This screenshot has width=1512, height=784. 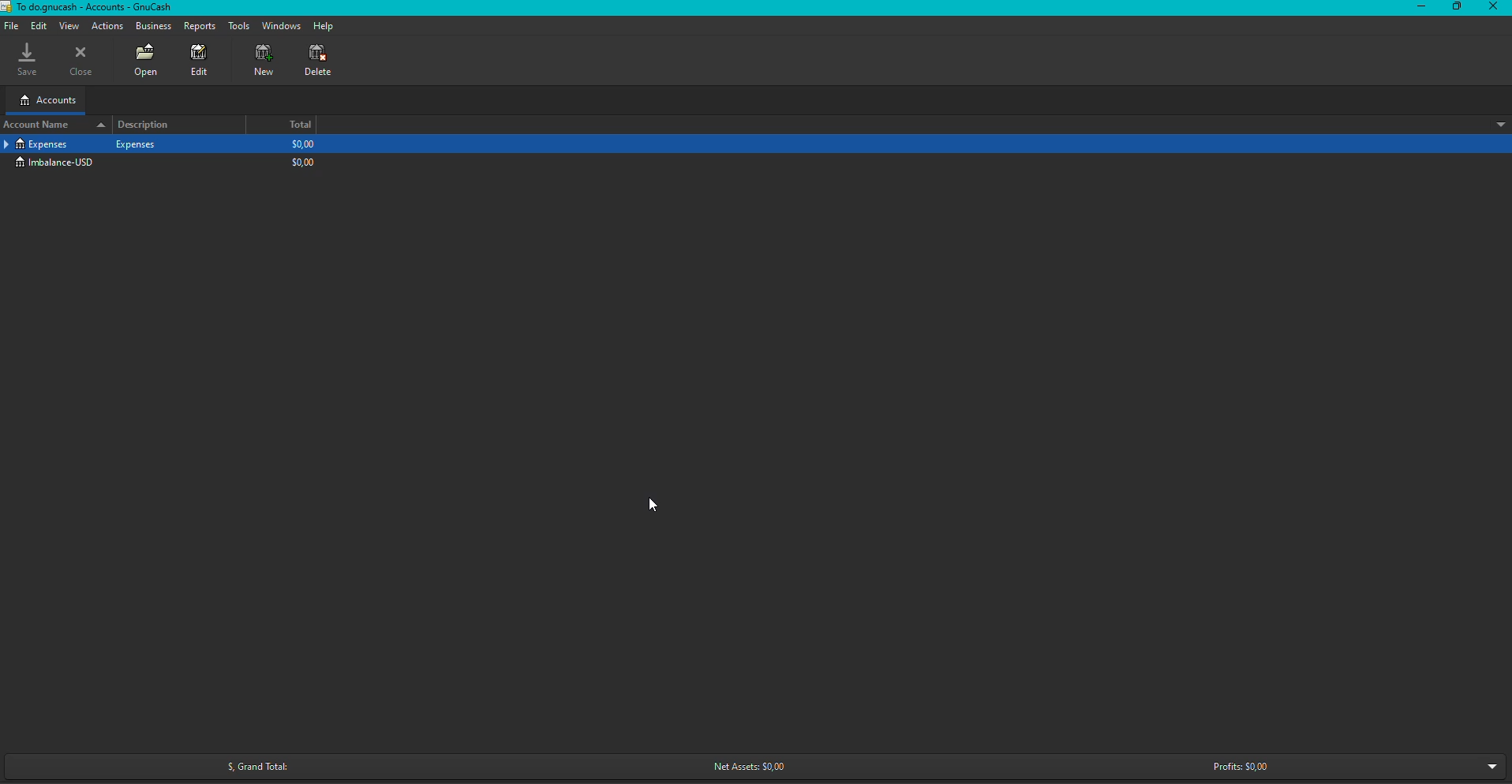 I want to click on Total, so click(x=295, y=125).